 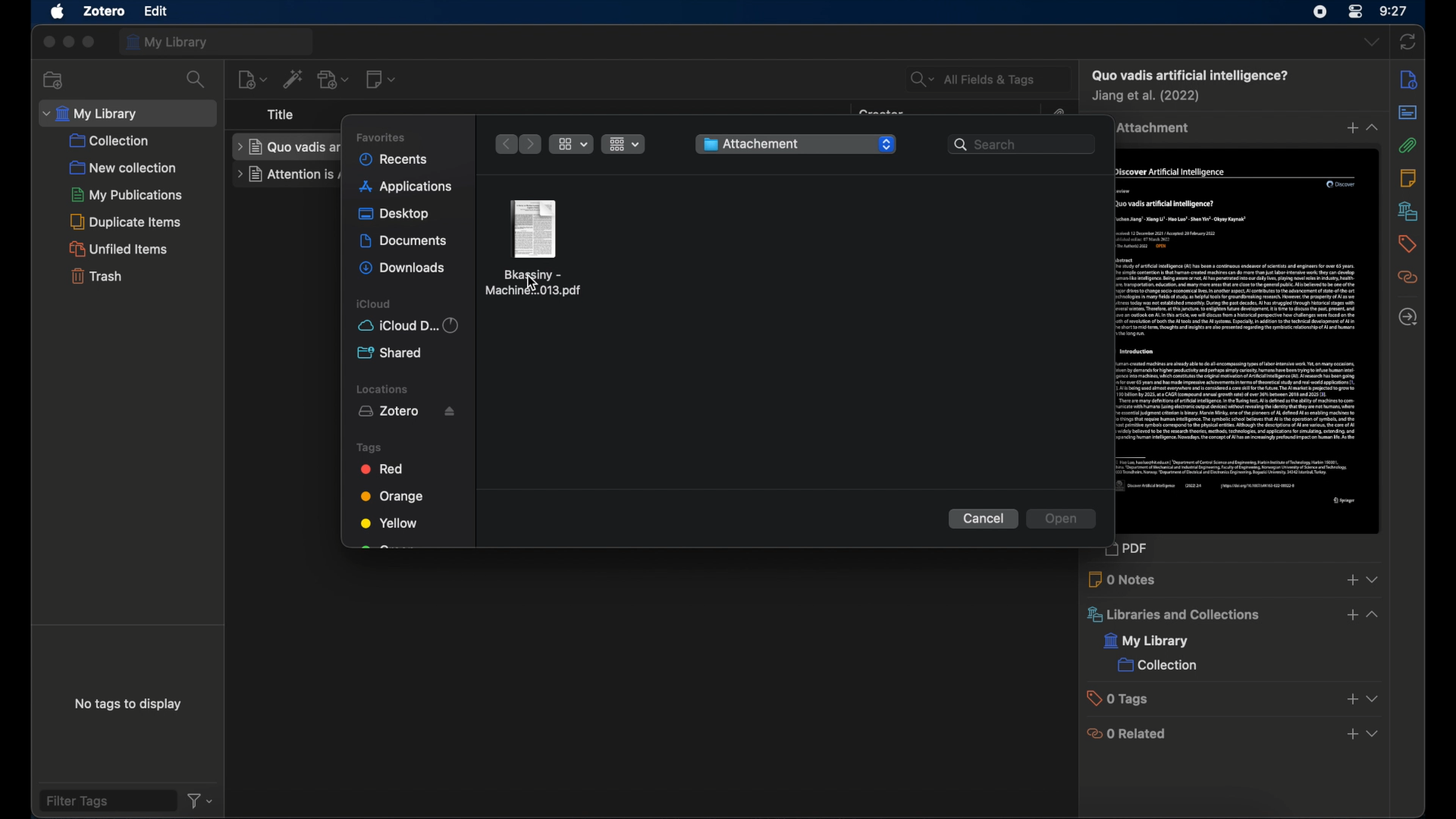 What do you see at coordinates (90, 43) in the screenshot?
I see `maximize` at bounding box center [90, 43].